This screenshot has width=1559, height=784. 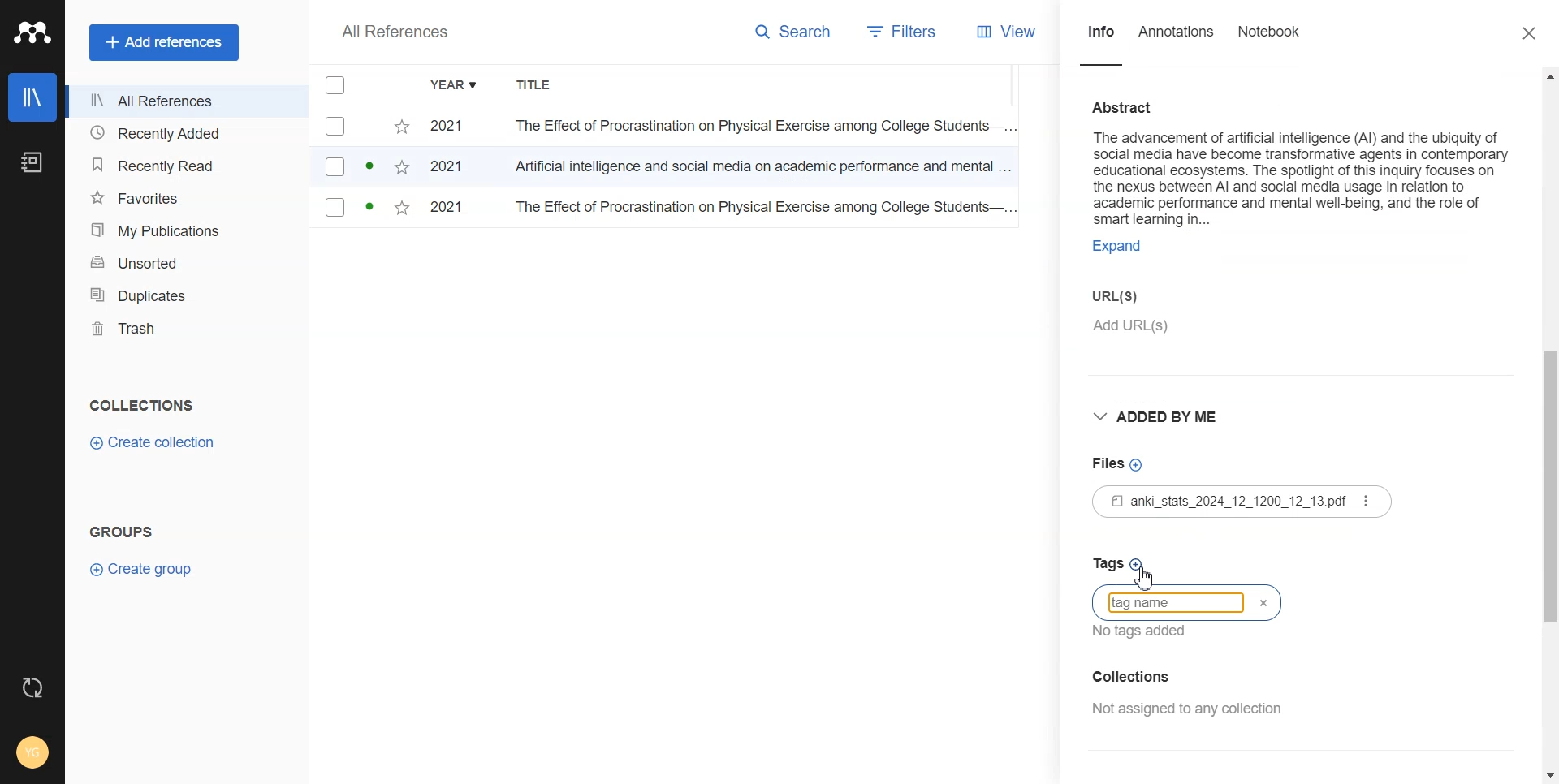 I want to click on The Effect of Procrastination on Physical Exercise among College Students..., so click(x=762, y=209).